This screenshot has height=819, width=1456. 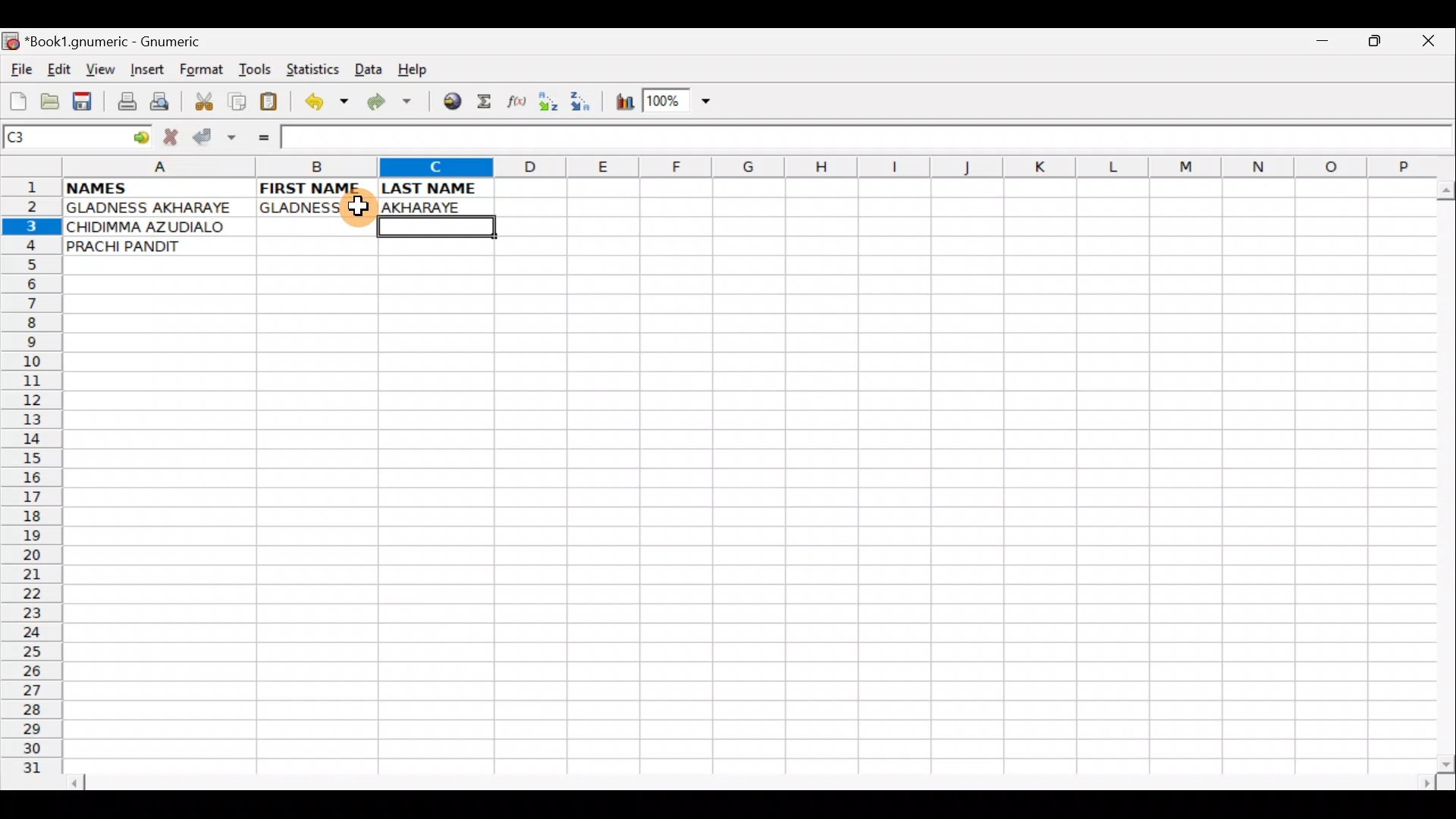 What do you see at coordinates (32, 482) in the screenshot?
I see `Rows` at bounding box center [32, 482].